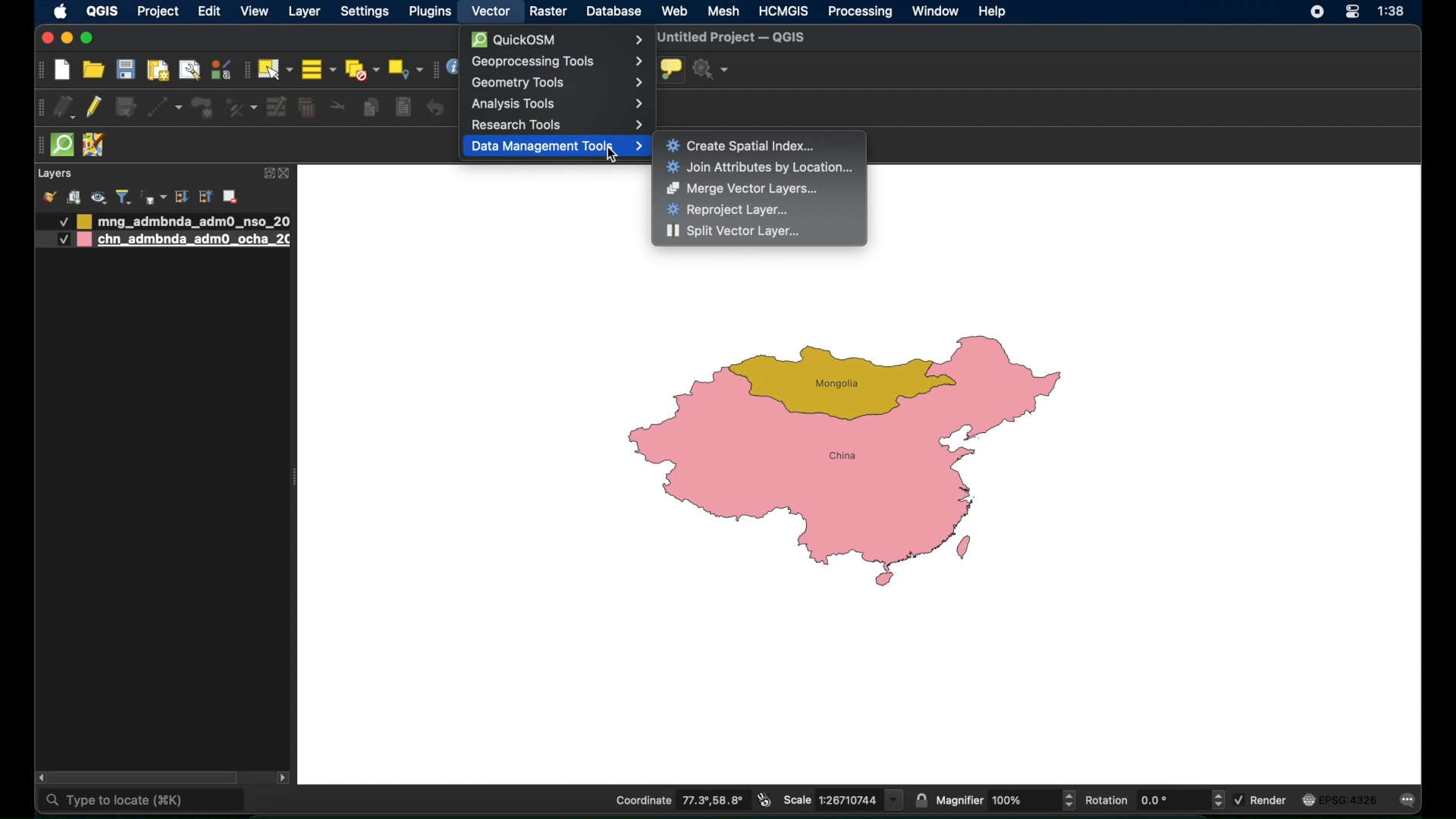  What do you see at coordinates (372, 110) in the screenshot?
I see `copy features` at bounding box center [372, 110].